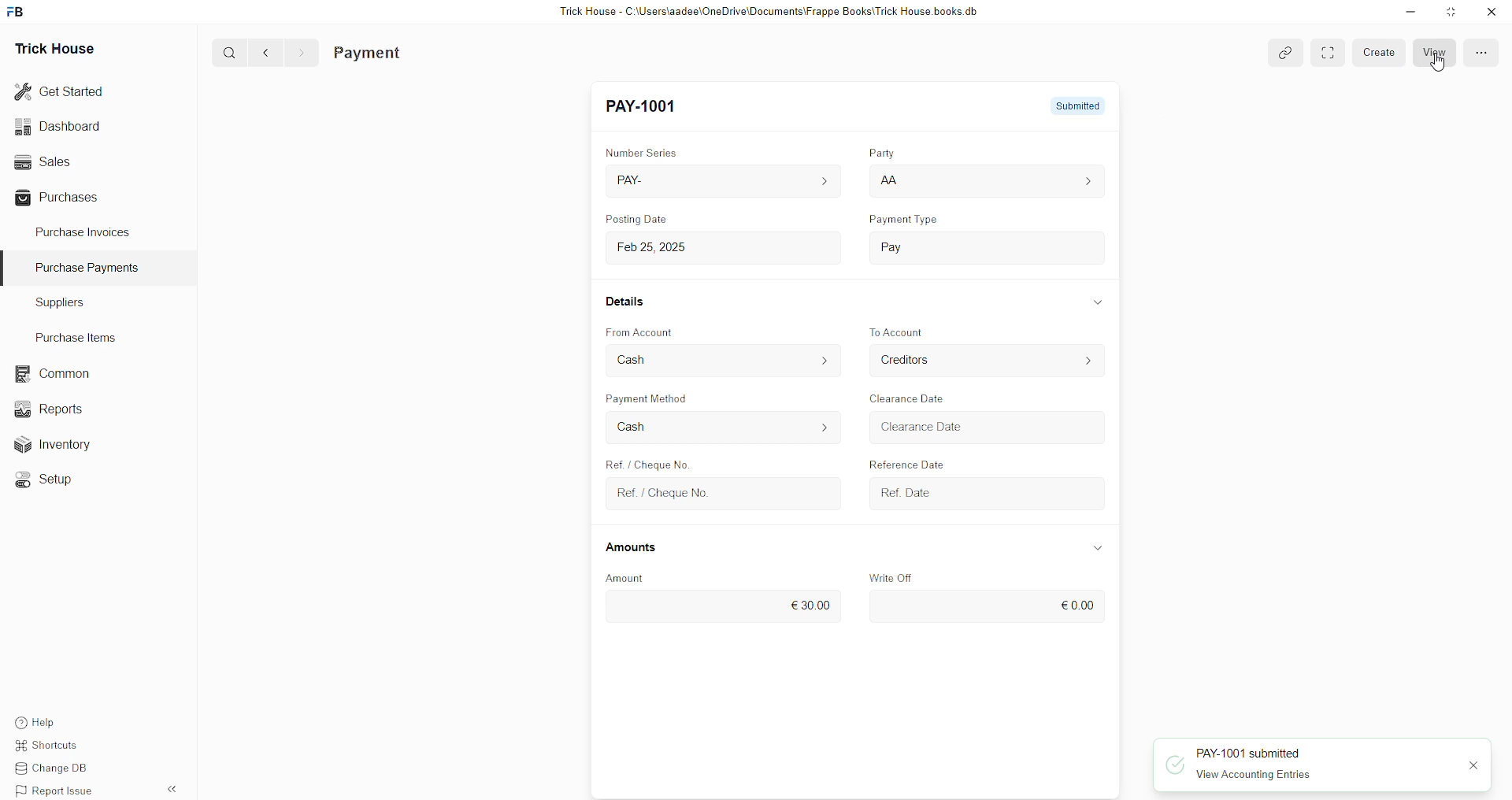 Image resolution: width=1512 pixels, height=800 pixels. What do you see at coordinates (905, 576) in the screenshot?
I see `Write Off` at bounding box center [905, 576].